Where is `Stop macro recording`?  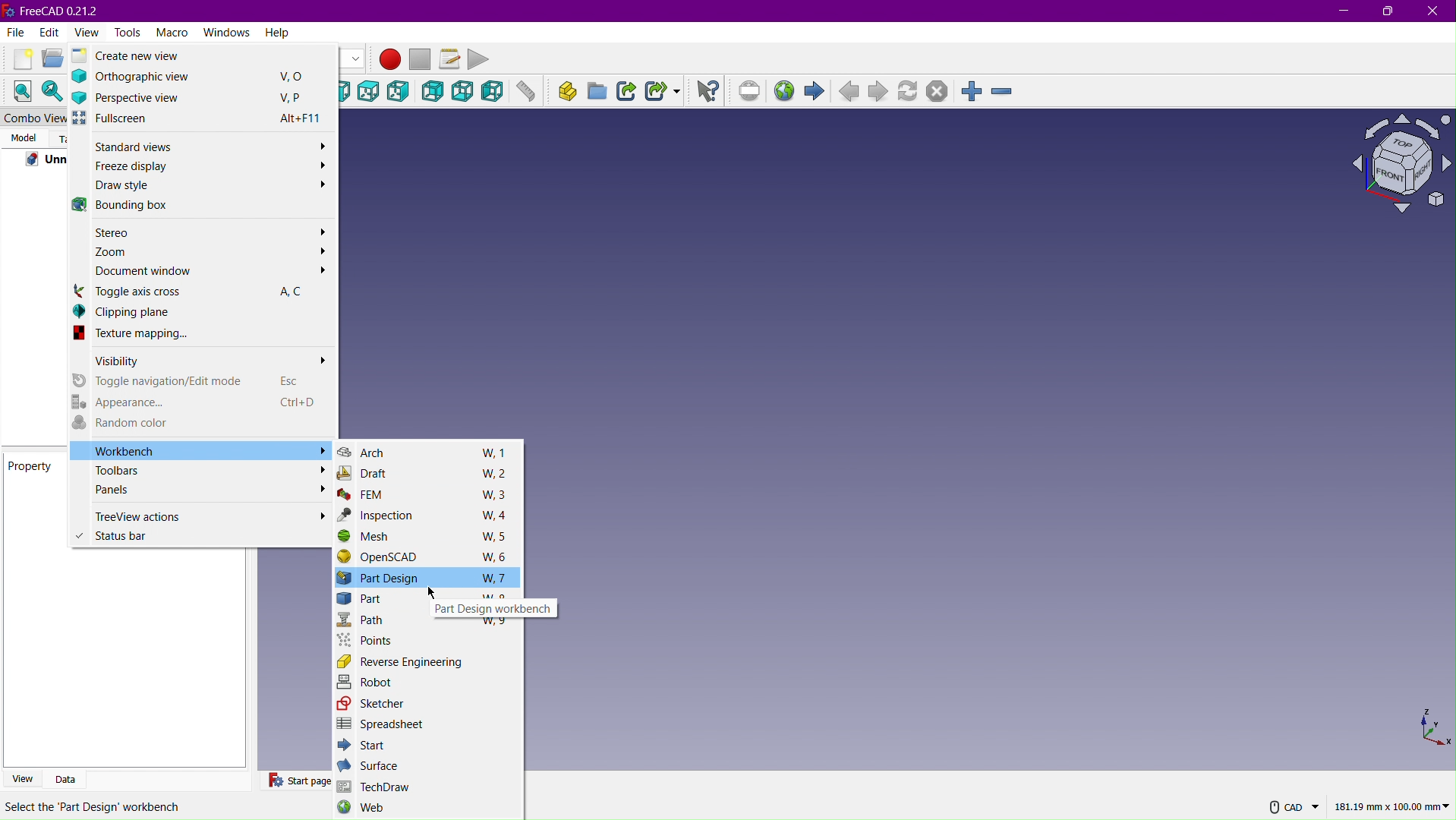
Stop macro recording is located at coordinates (421, 59).